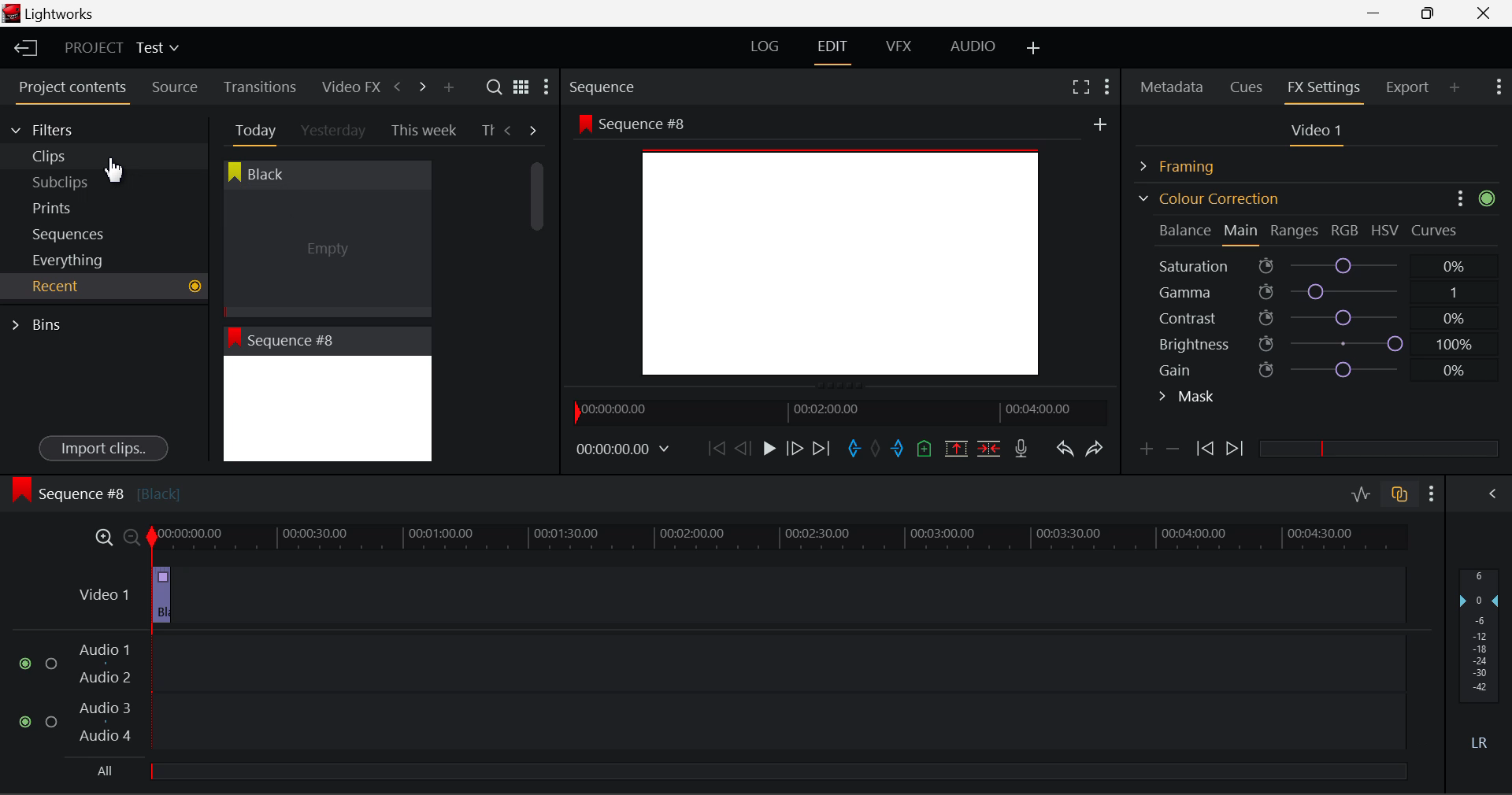 This screenshot has width=1512, height=795. I want to click on Show Settings, so click(1432, 494).